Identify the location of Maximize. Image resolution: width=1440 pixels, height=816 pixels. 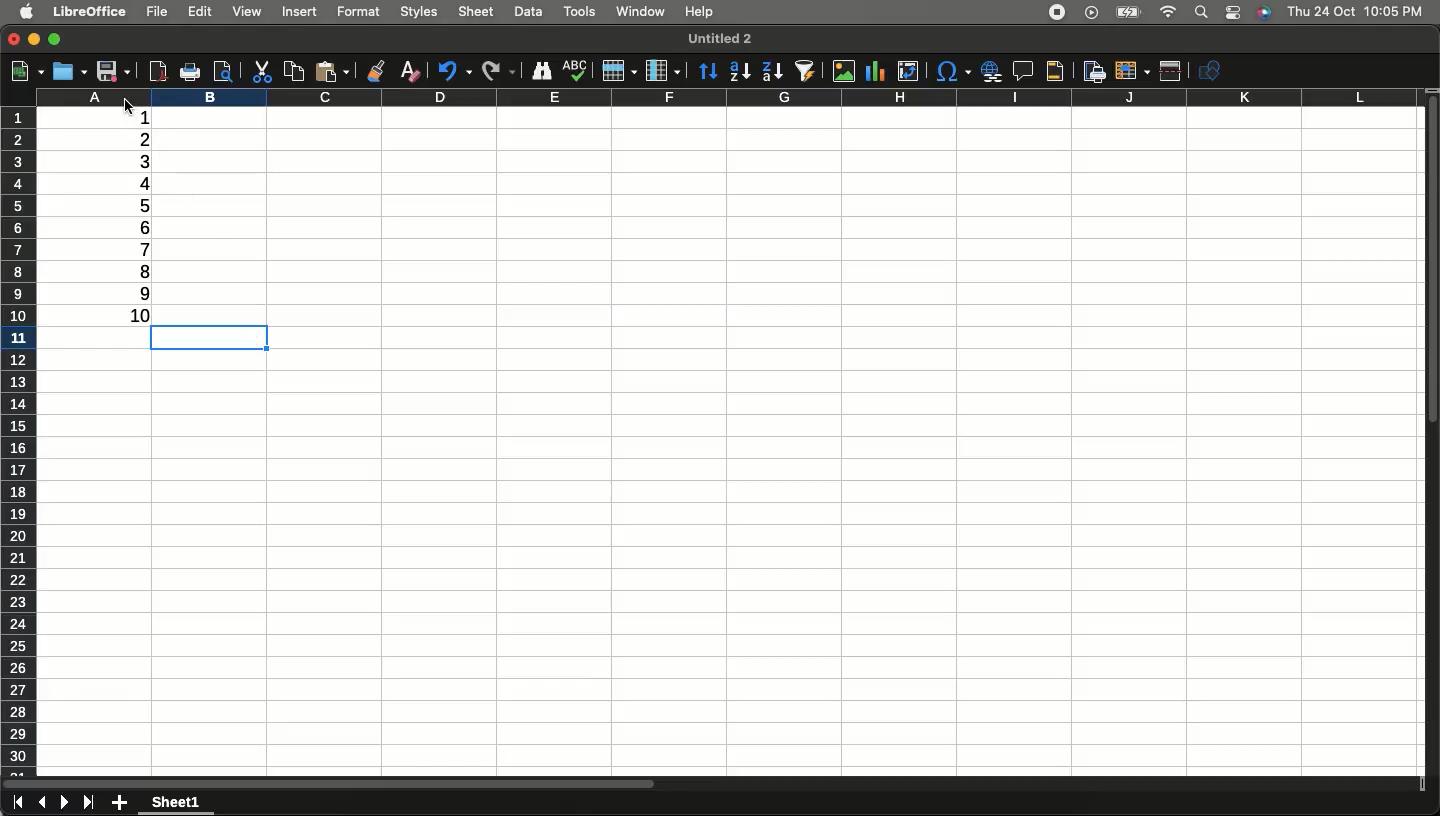
(55, 37).